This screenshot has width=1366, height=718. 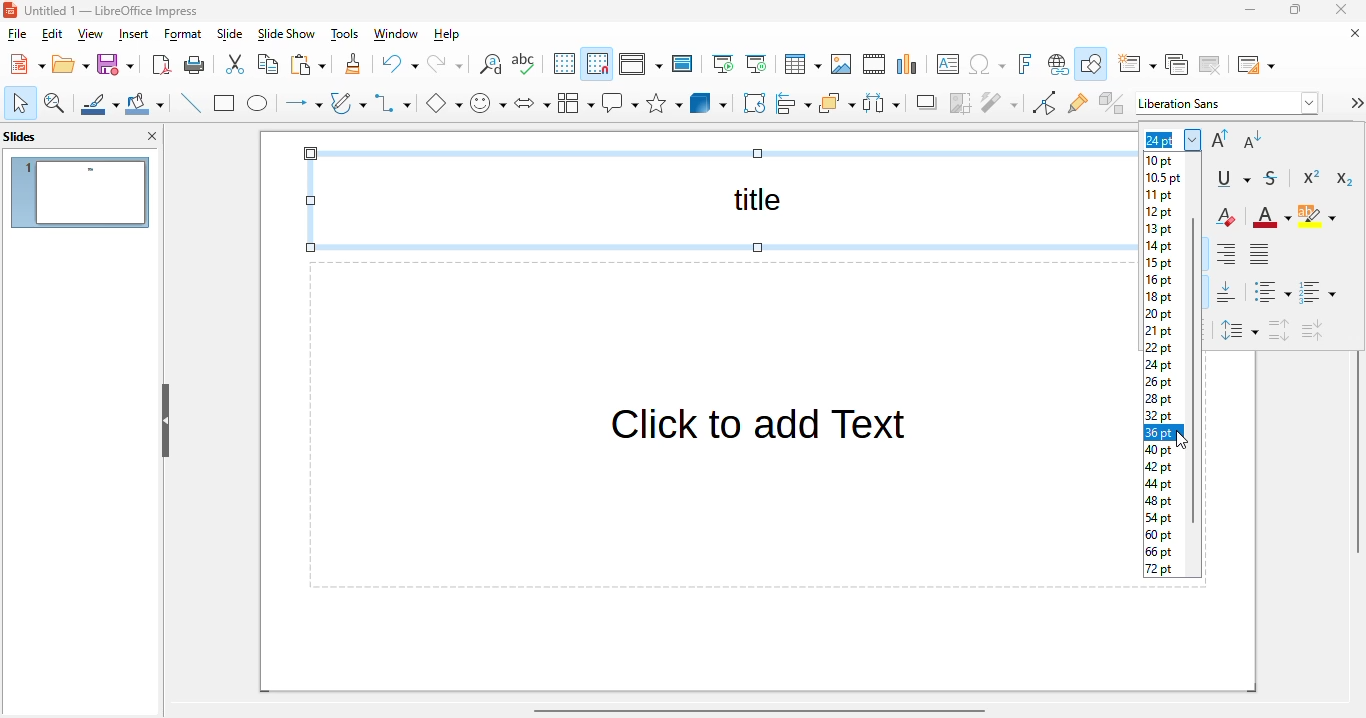 I want to click on 40 pt, so click(x=1160, y=451).